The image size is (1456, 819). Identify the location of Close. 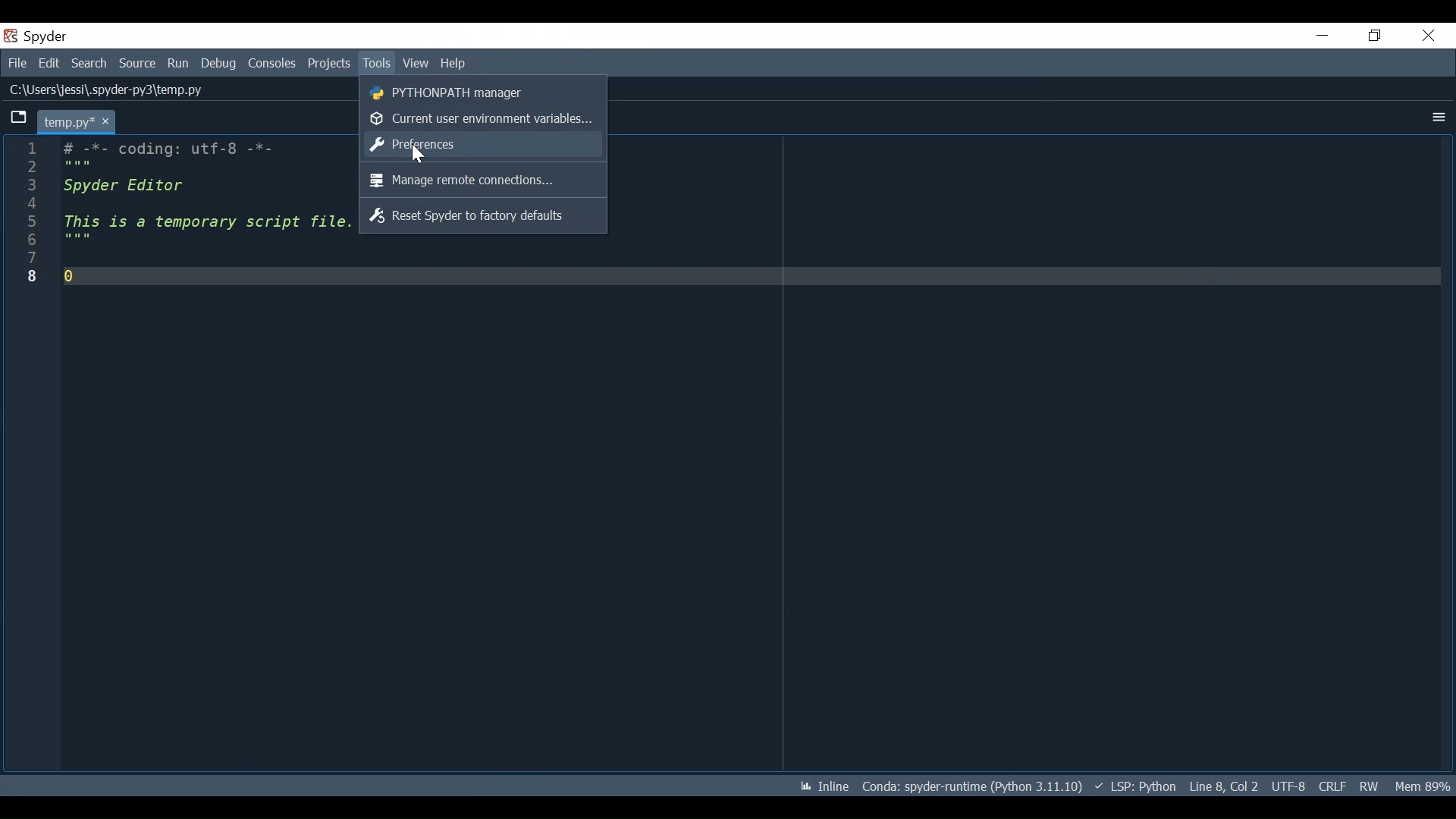
(1427, 36).